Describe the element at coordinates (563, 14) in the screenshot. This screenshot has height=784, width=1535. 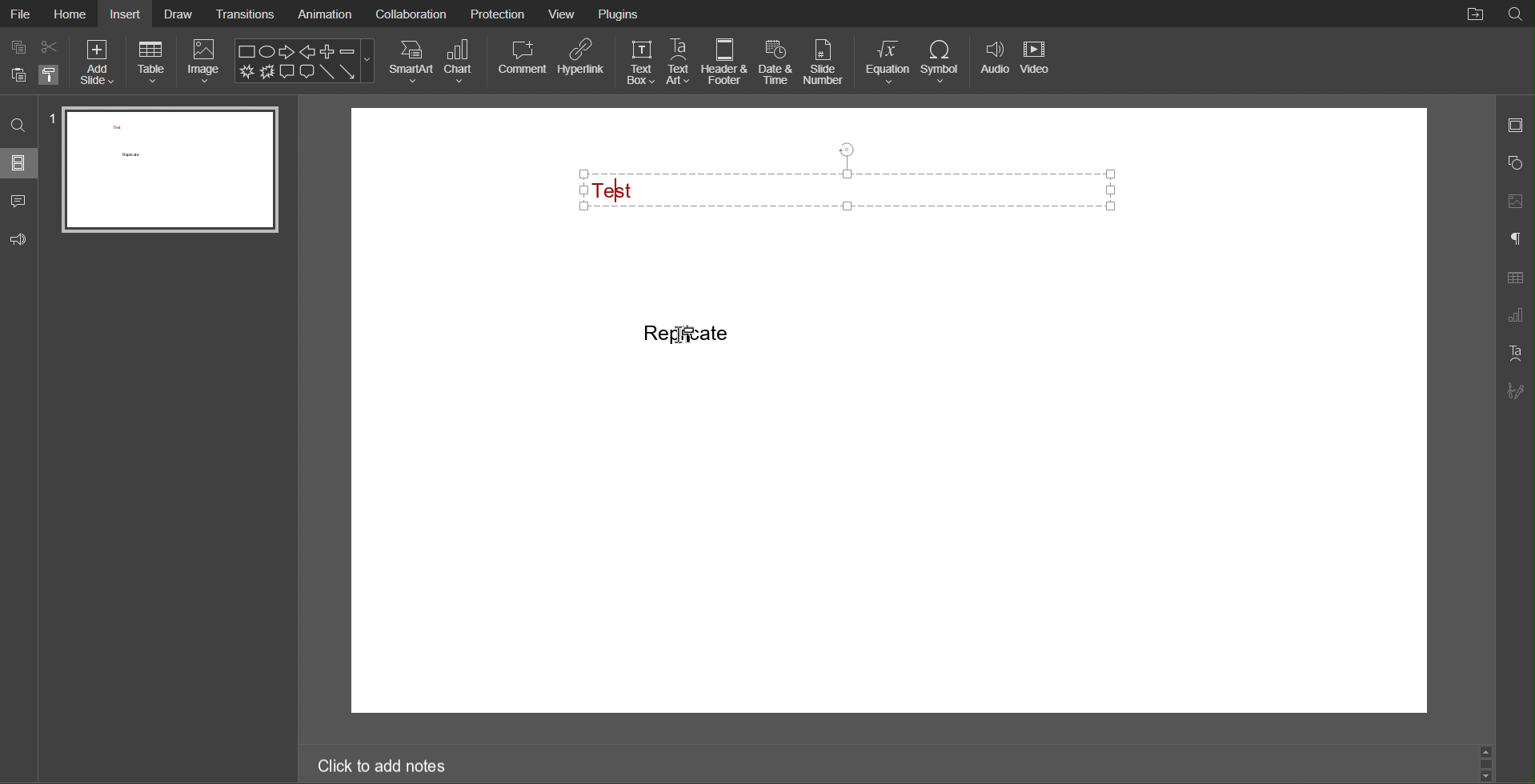
I see `View` at that location.